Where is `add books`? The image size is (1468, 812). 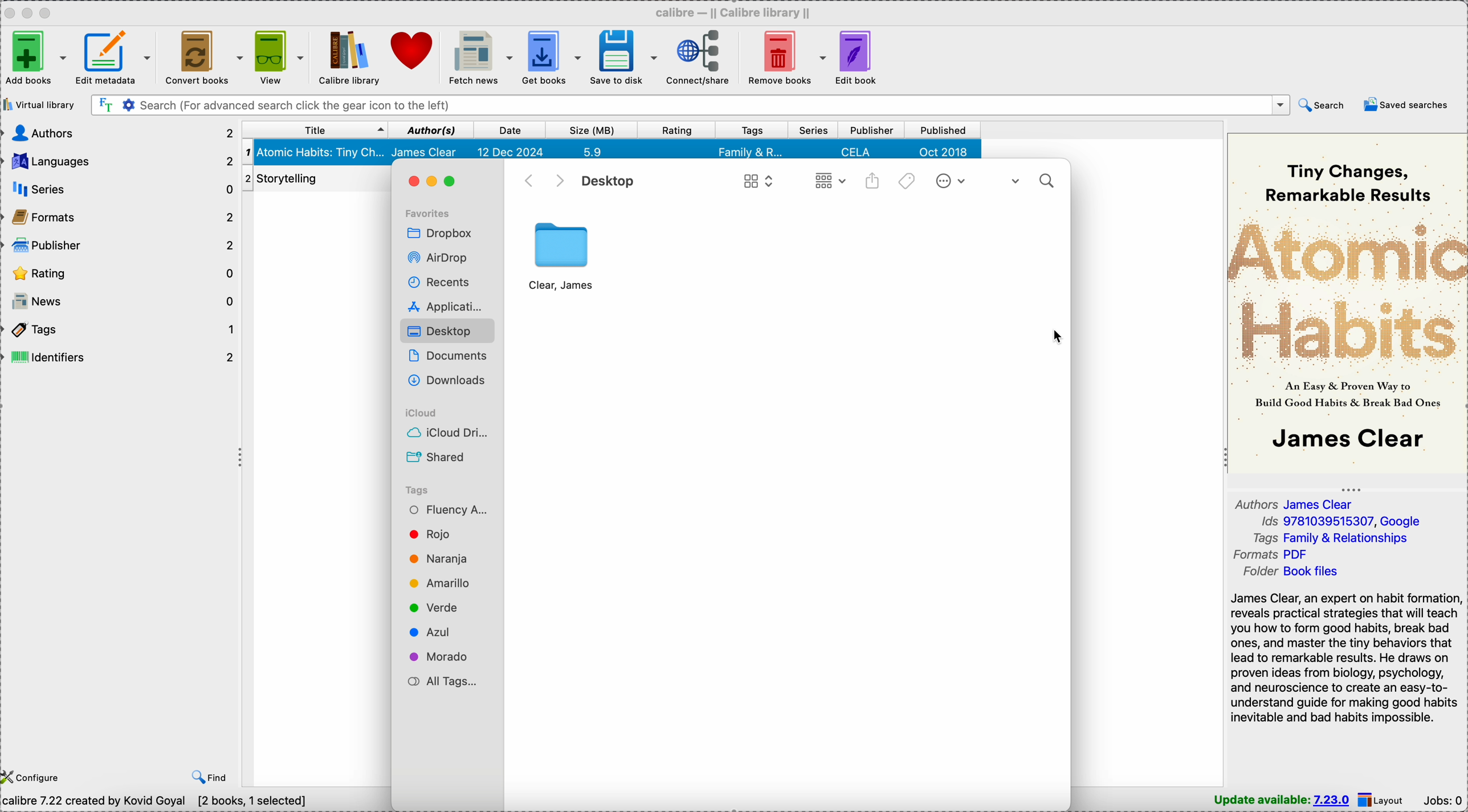 add books is located at coordinates (36, 57).